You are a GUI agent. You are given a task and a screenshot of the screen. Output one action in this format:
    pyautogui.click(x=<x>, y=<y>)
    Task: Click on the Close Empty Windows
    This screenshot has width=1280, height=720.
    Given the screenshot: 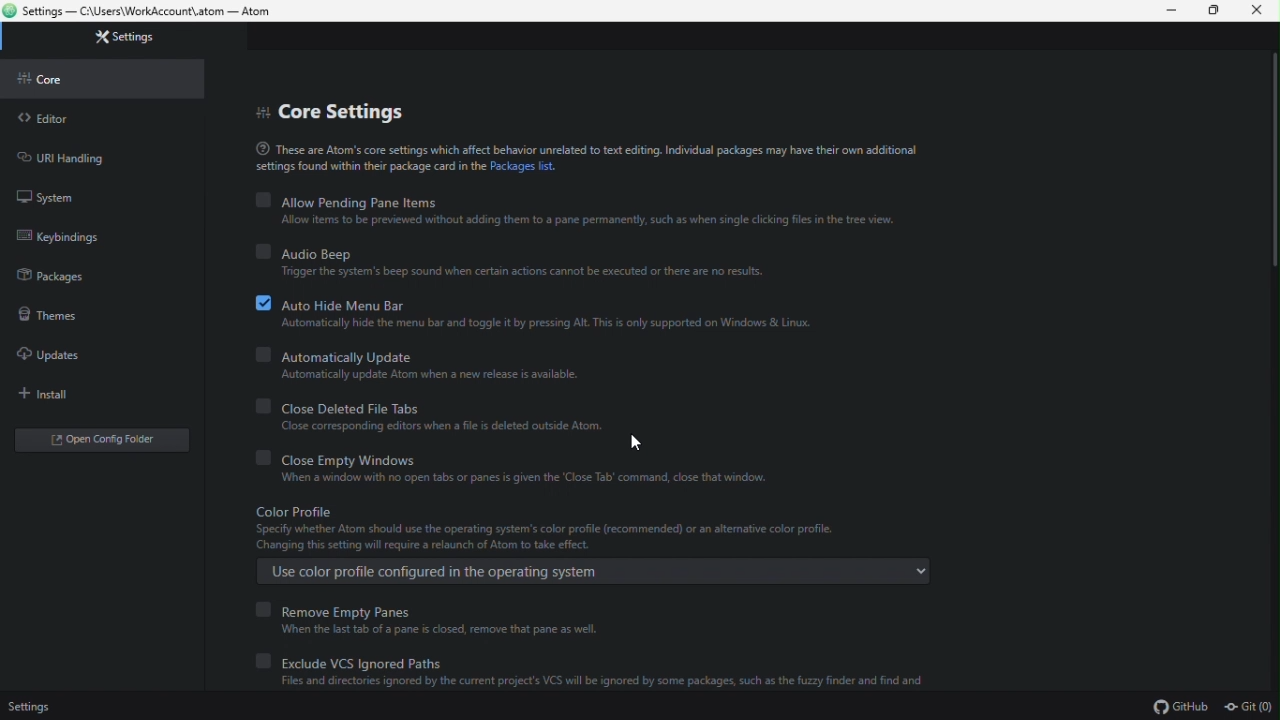 What is the action you would take?
    pyautogui.click(x=334, y=459)
    